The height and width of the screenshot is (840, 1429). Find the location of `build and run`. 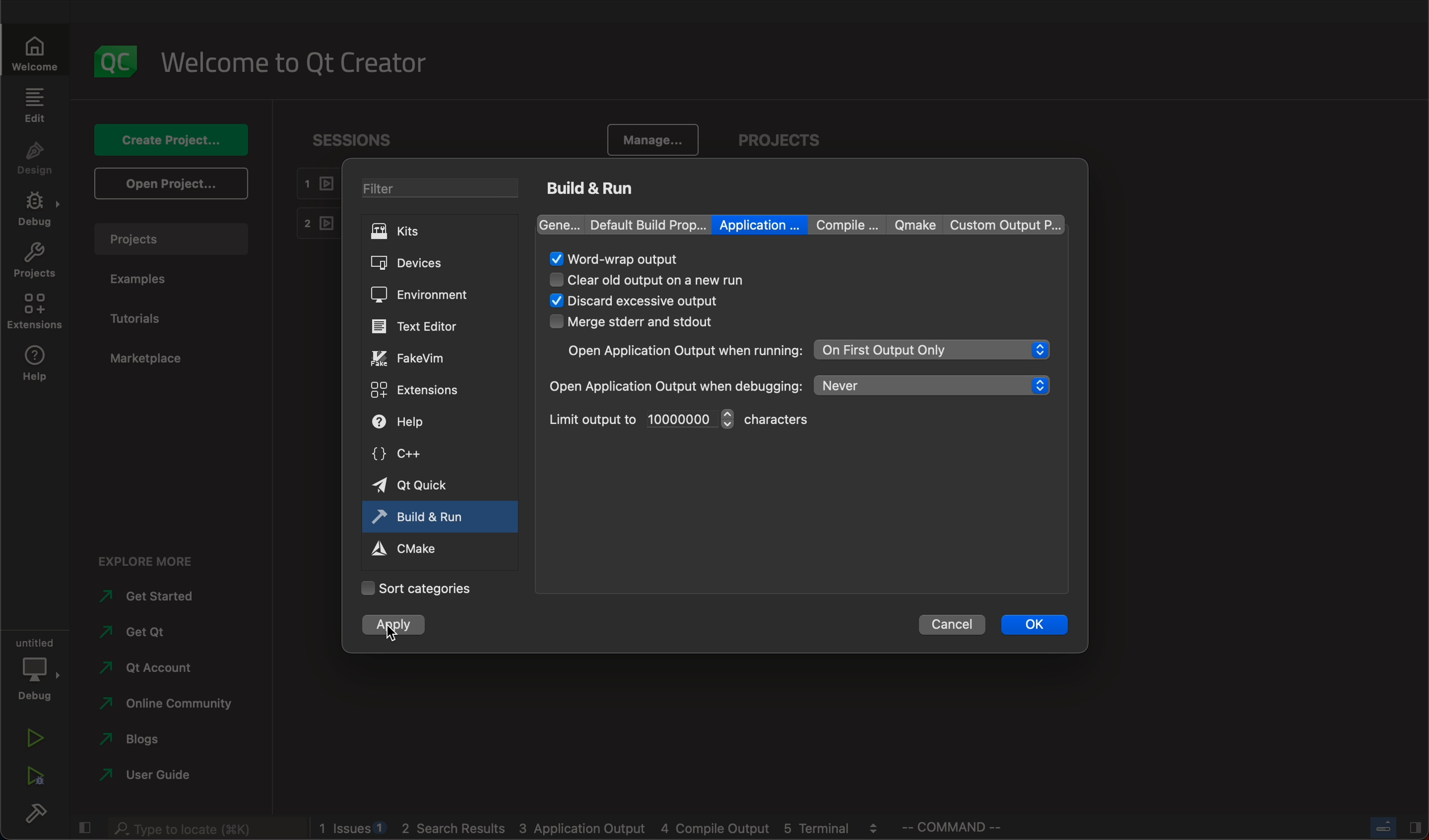

build and run is located at coordinates (422, 515).